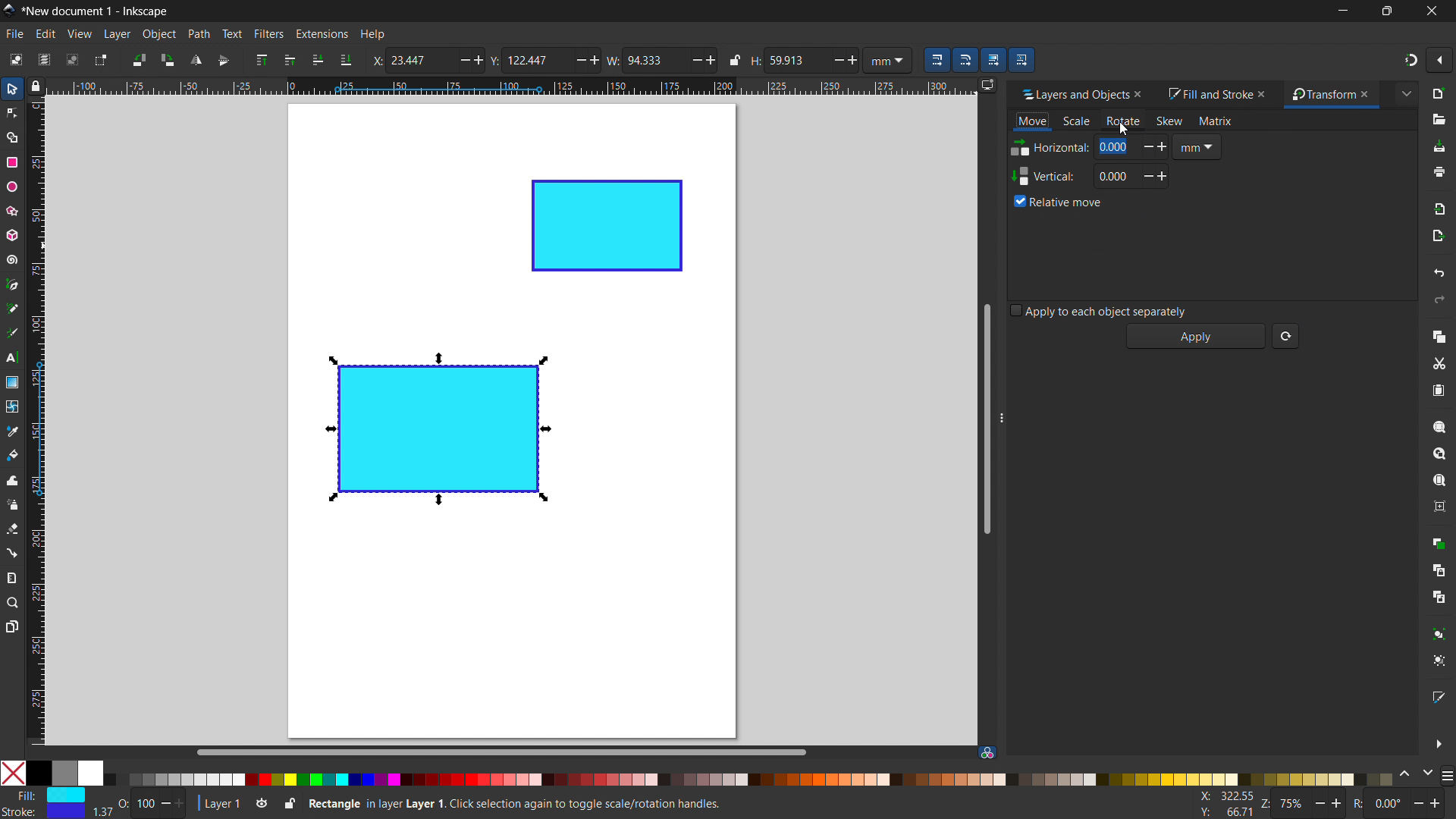 The height and width of the screenshot is (819, 1456). Describe the element at coordinates (1439, 453) in the screenshot. I see `zoom drawing` at that location.